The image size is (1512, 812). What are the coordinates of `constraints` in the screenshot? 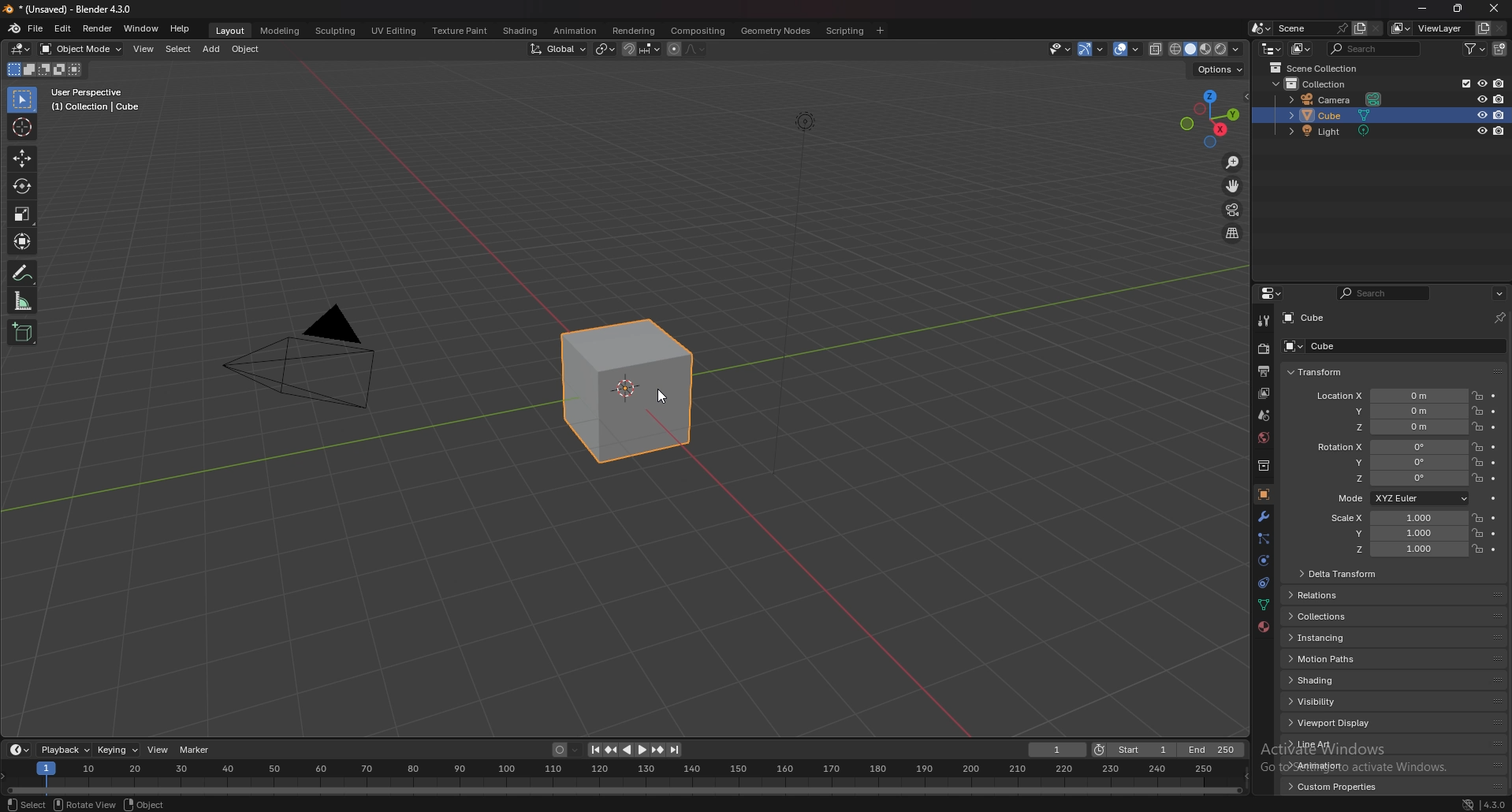 It's located at (1264, 583).